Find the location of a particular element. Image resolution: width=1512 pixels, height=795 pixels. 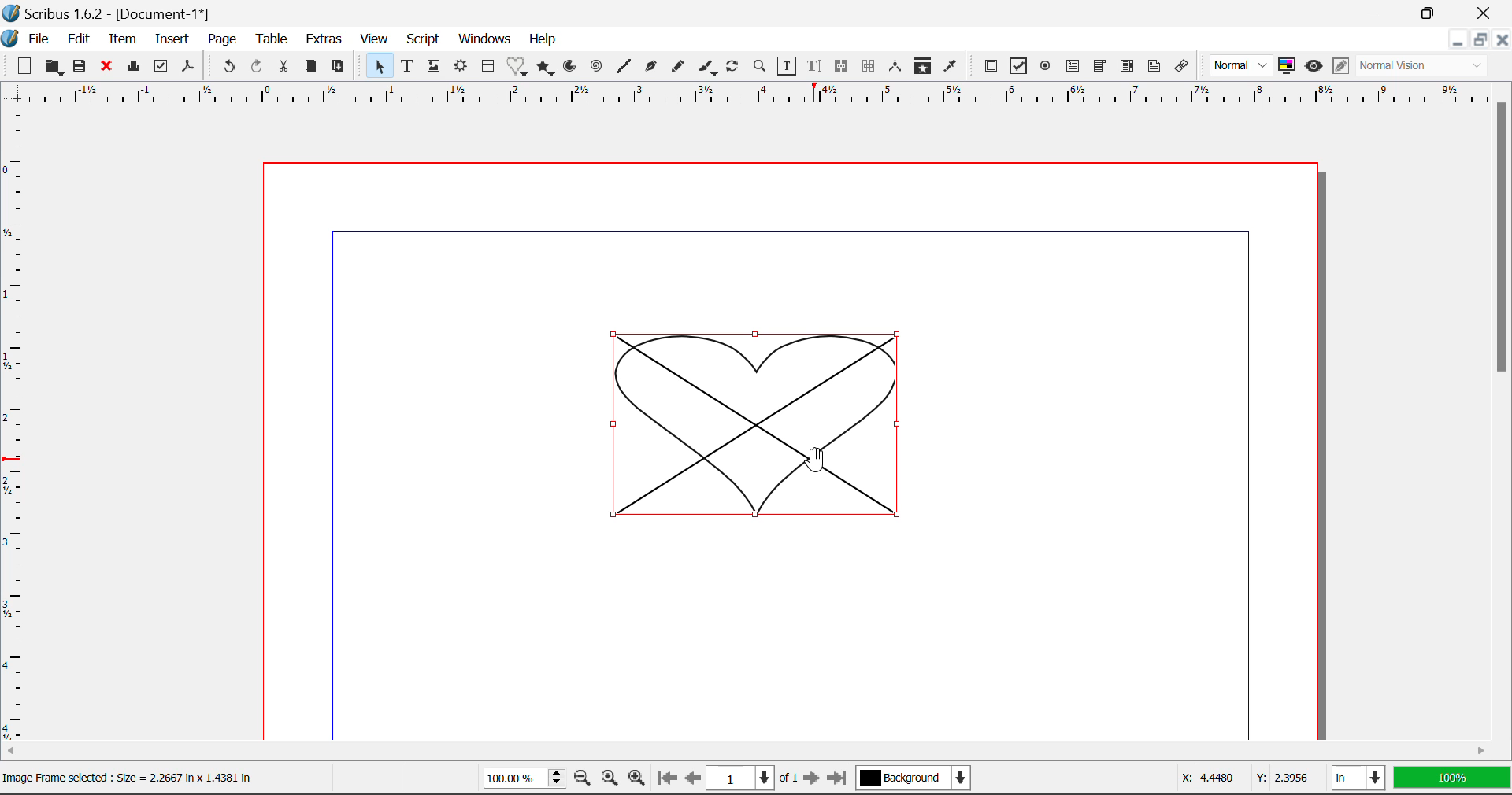

Cut is located at coordinates (287, 65).